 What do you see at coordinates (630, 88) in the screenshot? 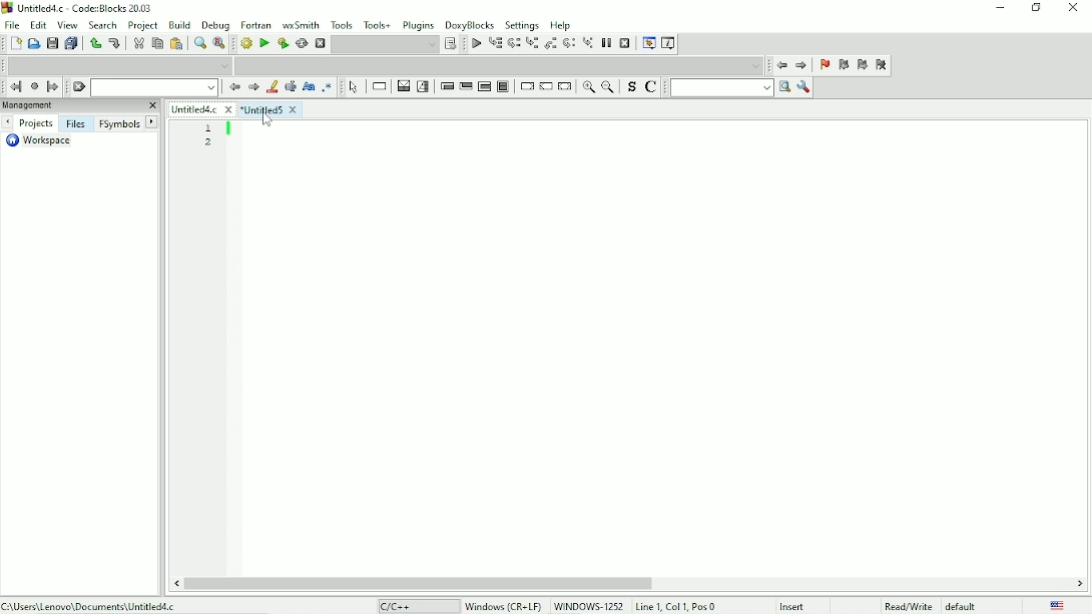
I see `Toggle source` at bounding box center [630, 88].